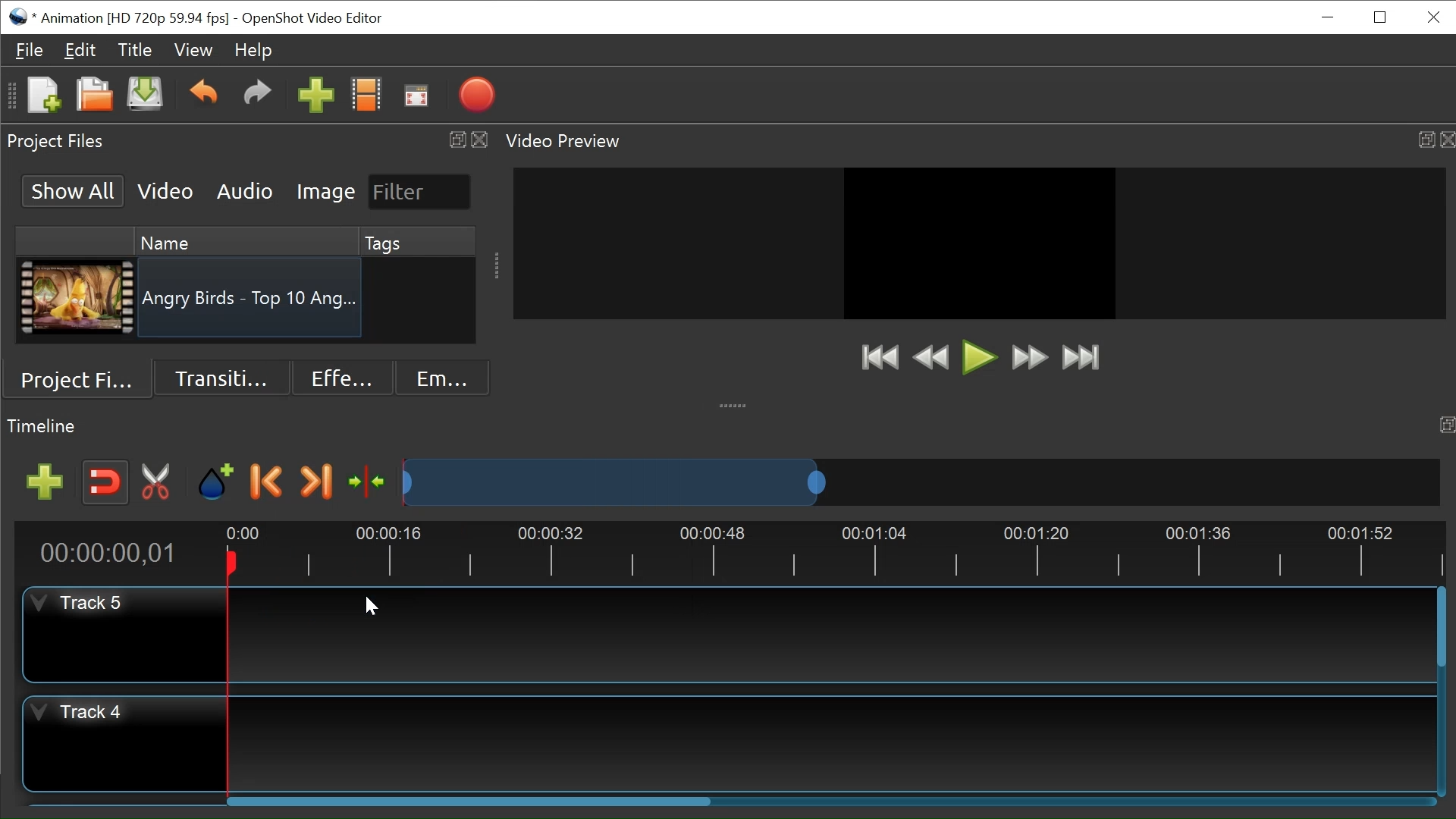 The height and width of the screenshot is (819, 1456). What do you see at coordinates (470, 800) in the screenshot?
I see `Horizontal Scroll bar` at bounding box center [470, 800].